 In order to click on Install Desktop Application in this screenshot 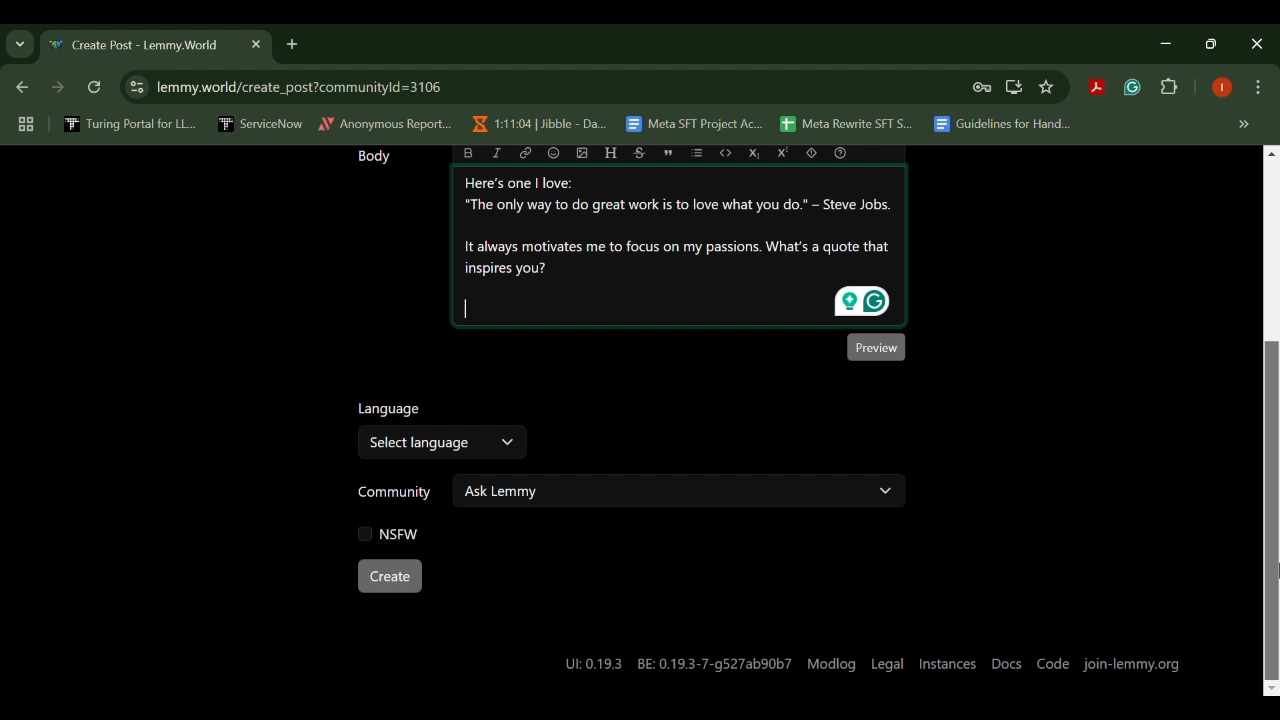, I will do `click(1013, 87)`.